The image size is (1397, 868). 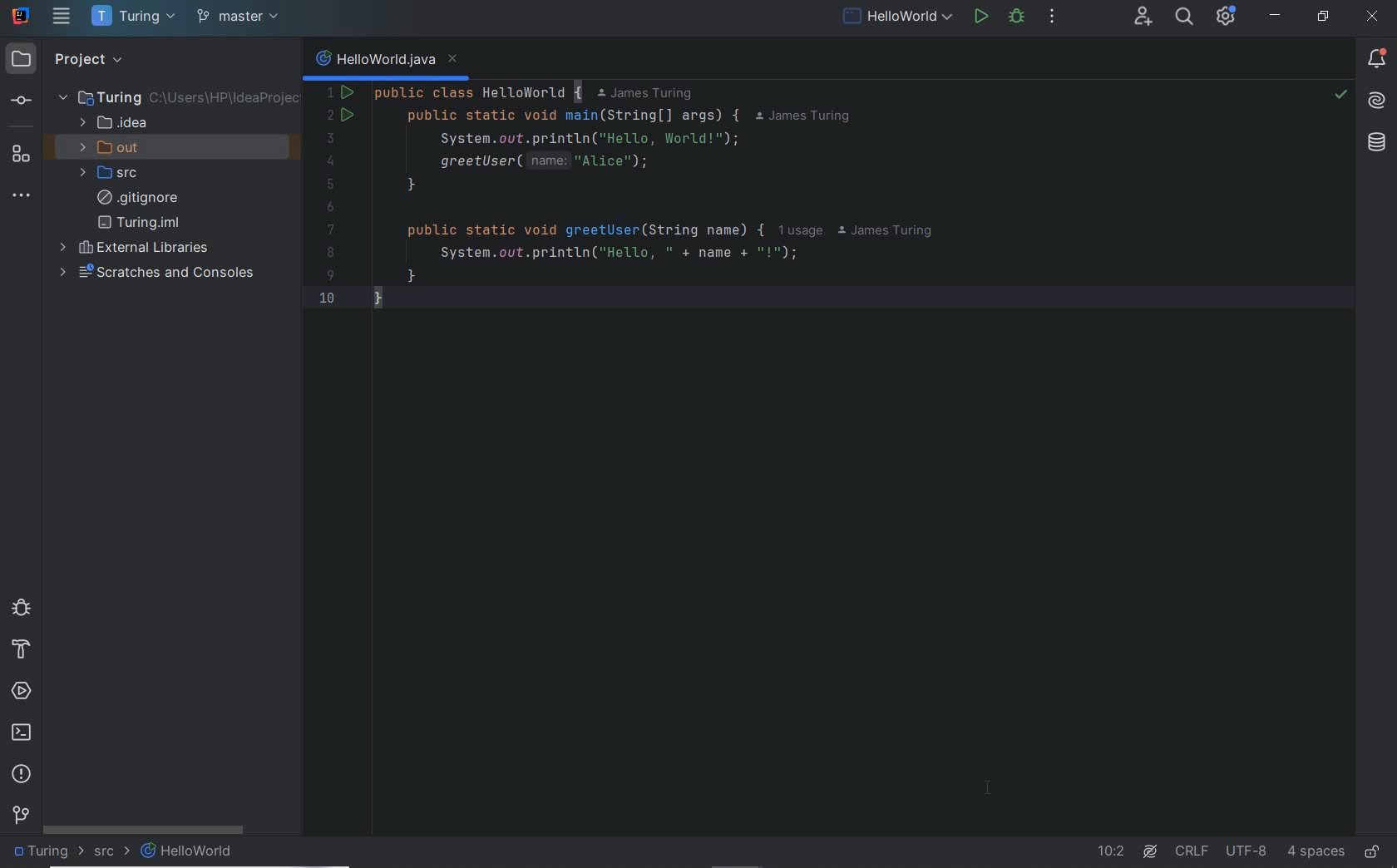 I want to click on EDIT OR READ ONLY, so click(x=1374, y=844).